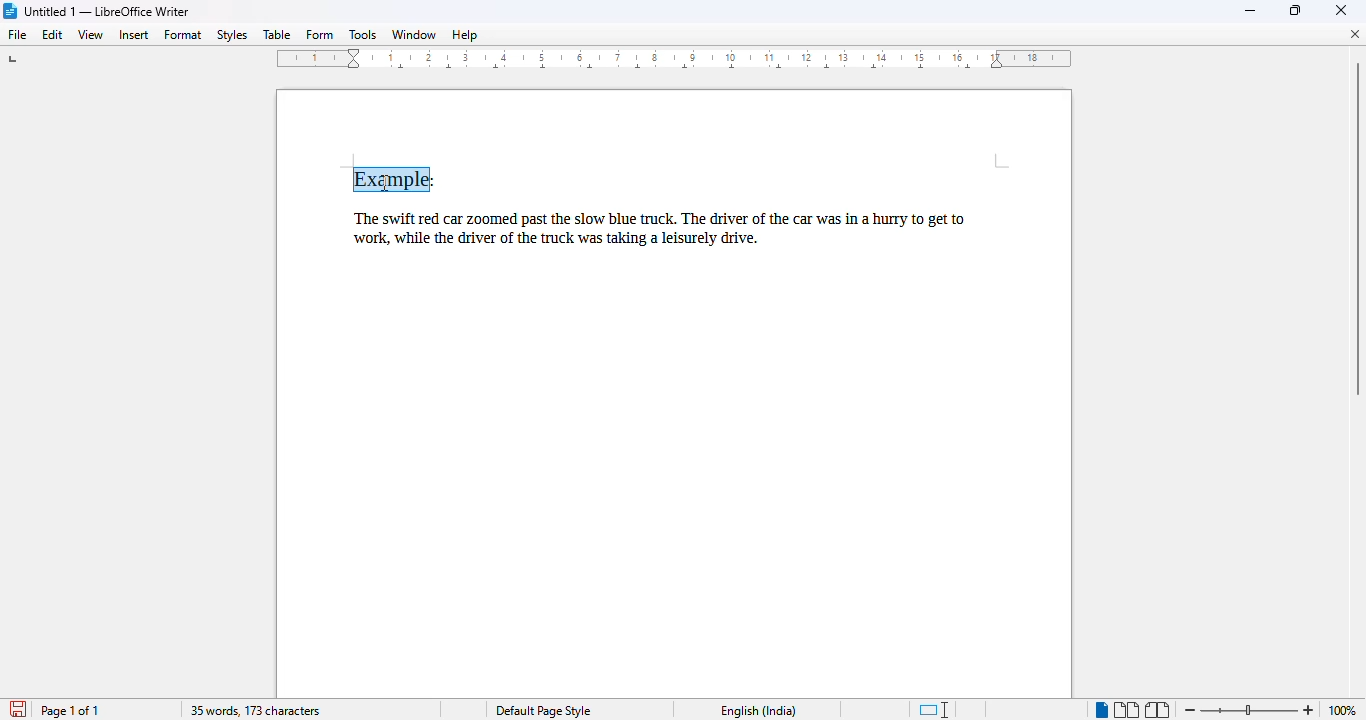 The height and width of the screenshot is (720, 1366). Describe the element at coordinates (933, 710) in the screenshot. I see `standard selection` at that location.